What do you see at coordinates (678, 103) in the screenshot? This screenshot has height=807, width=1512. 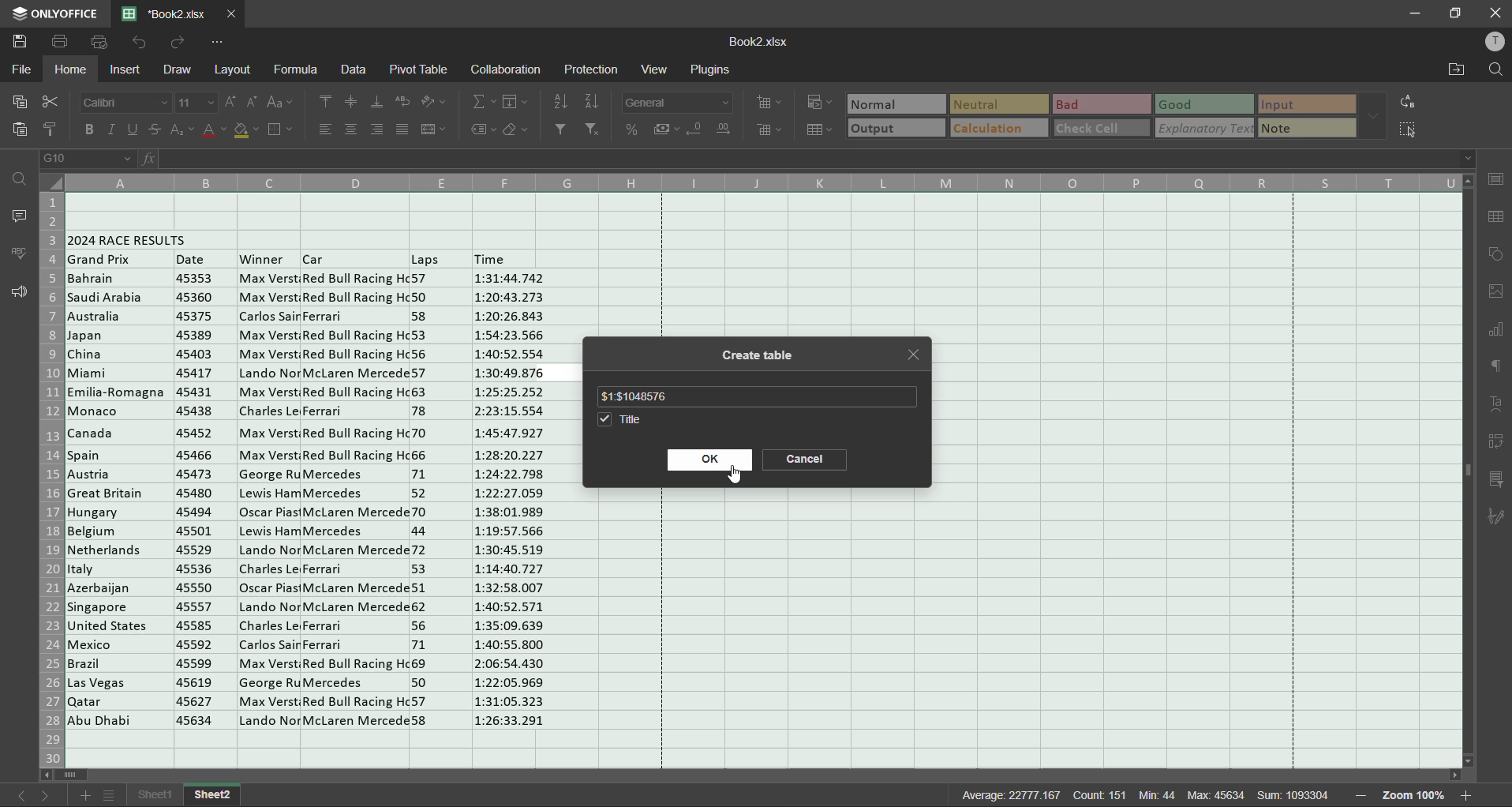 I see `number format` at bounding box center [678, 103].